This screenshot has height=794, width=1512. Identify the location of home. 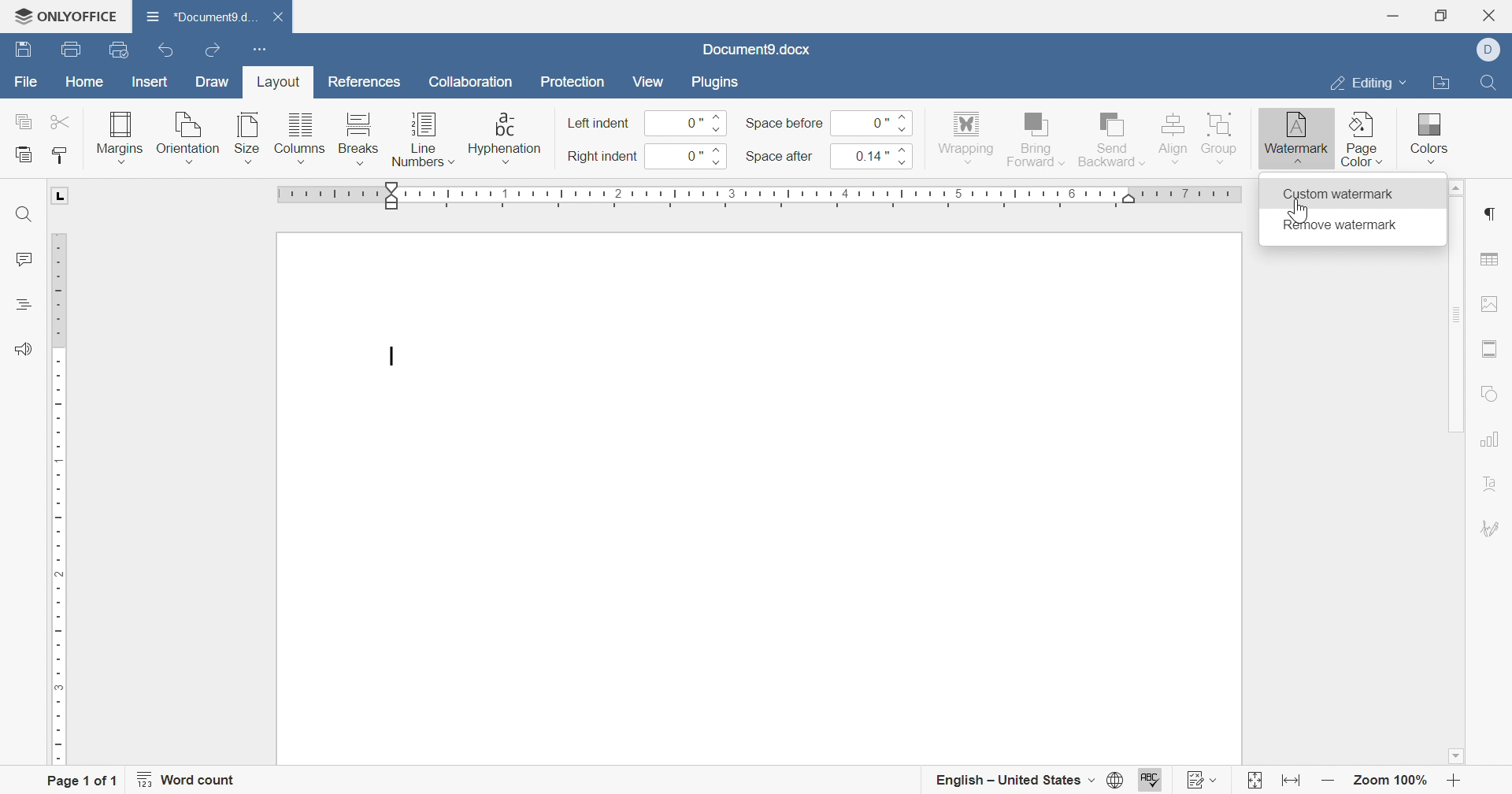
(85, 84).